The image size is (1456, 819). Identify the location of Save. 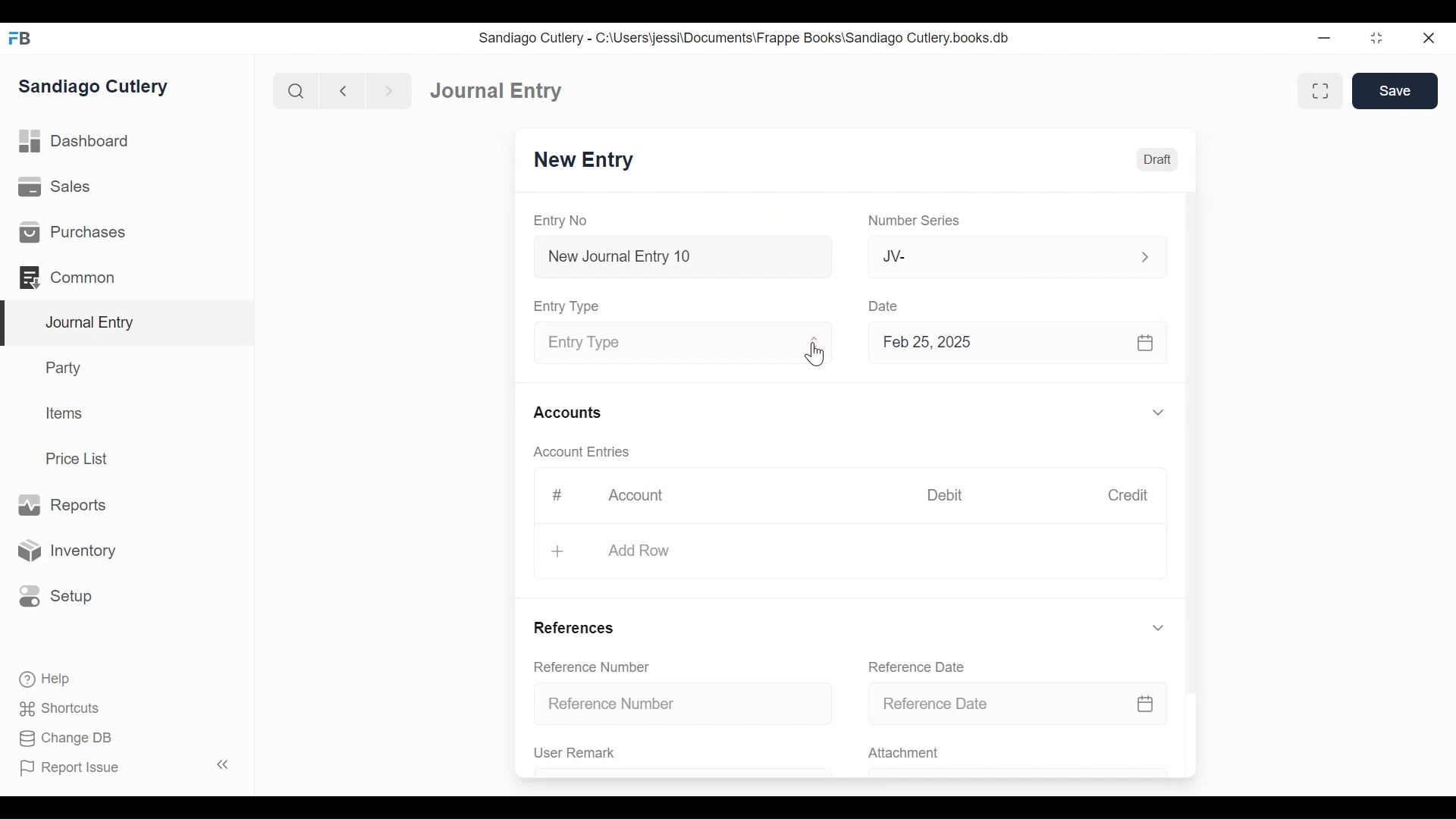
(1395, 91).